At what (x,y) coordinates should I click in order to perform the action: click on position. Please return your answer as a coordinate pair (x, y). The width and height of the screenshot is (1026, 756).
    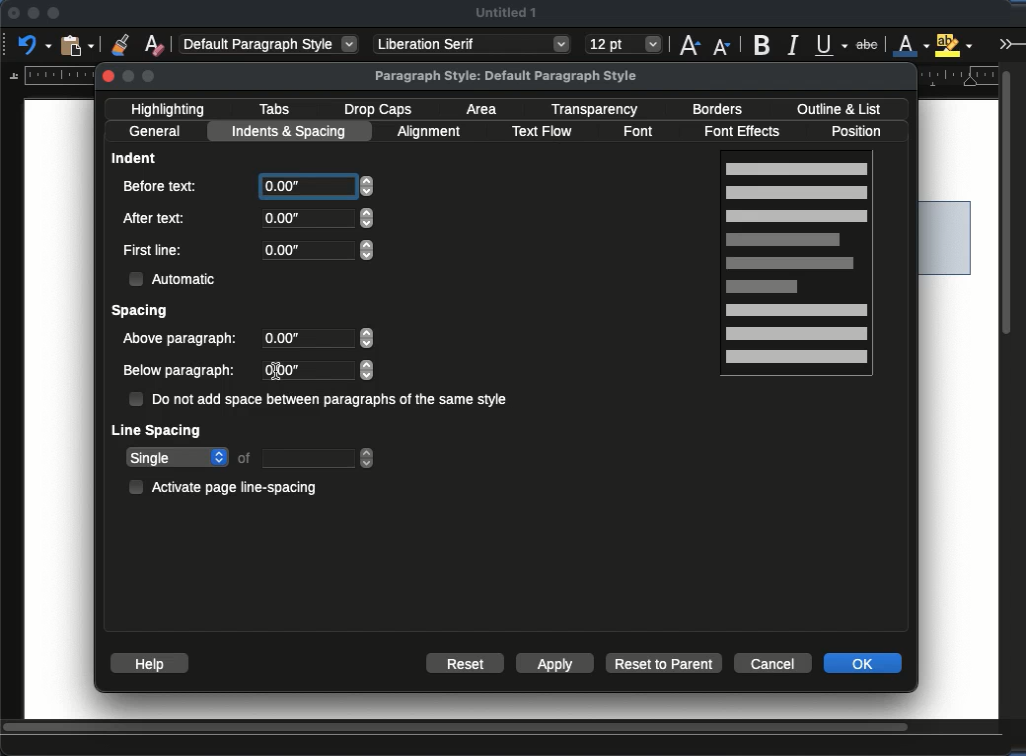
    Looking at the image, I should click on (861, 131).